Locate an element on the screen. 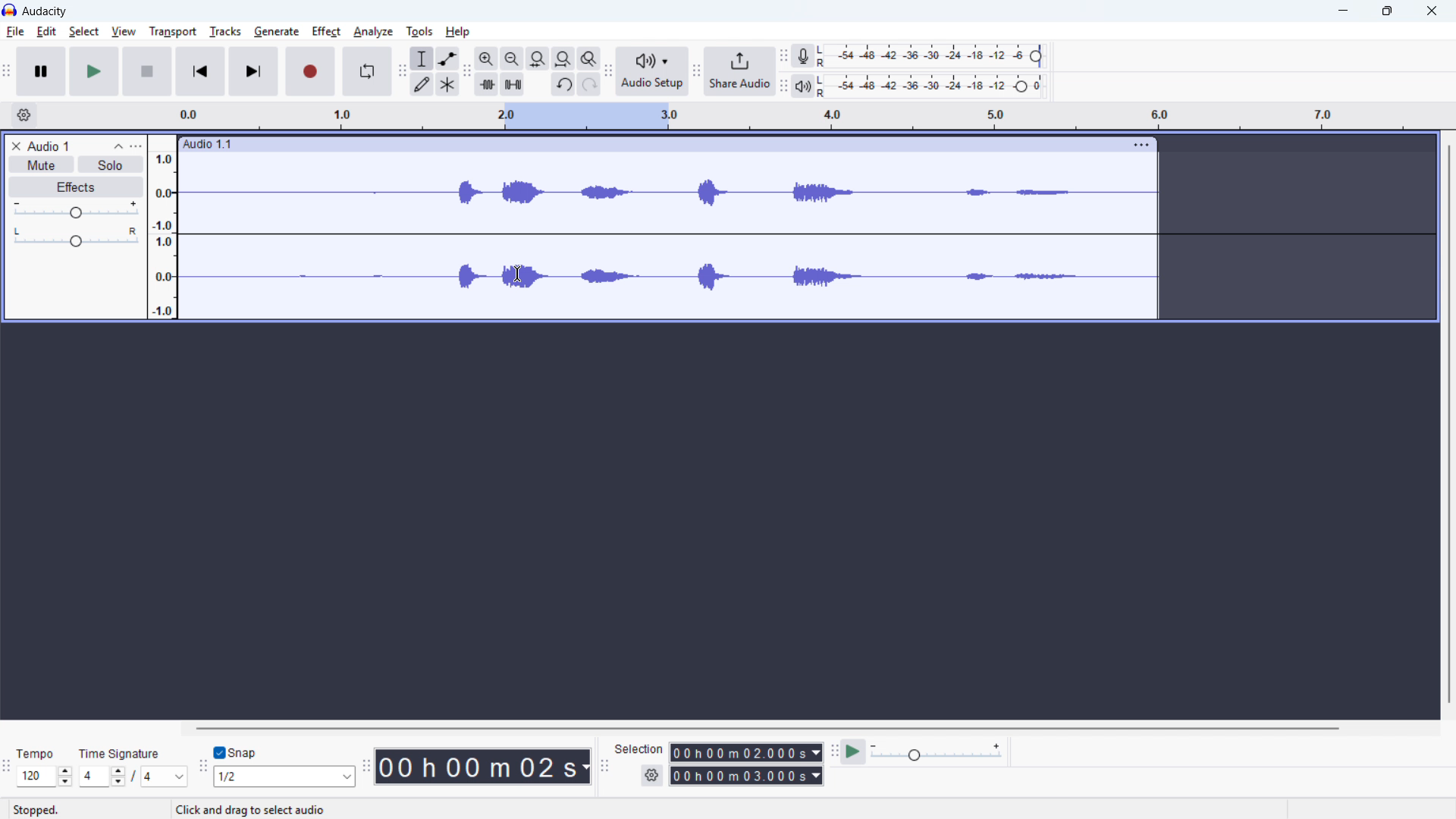 The height and width of the screenshot is (819, 1456). Selection tool is located at coordinates (422, 58).